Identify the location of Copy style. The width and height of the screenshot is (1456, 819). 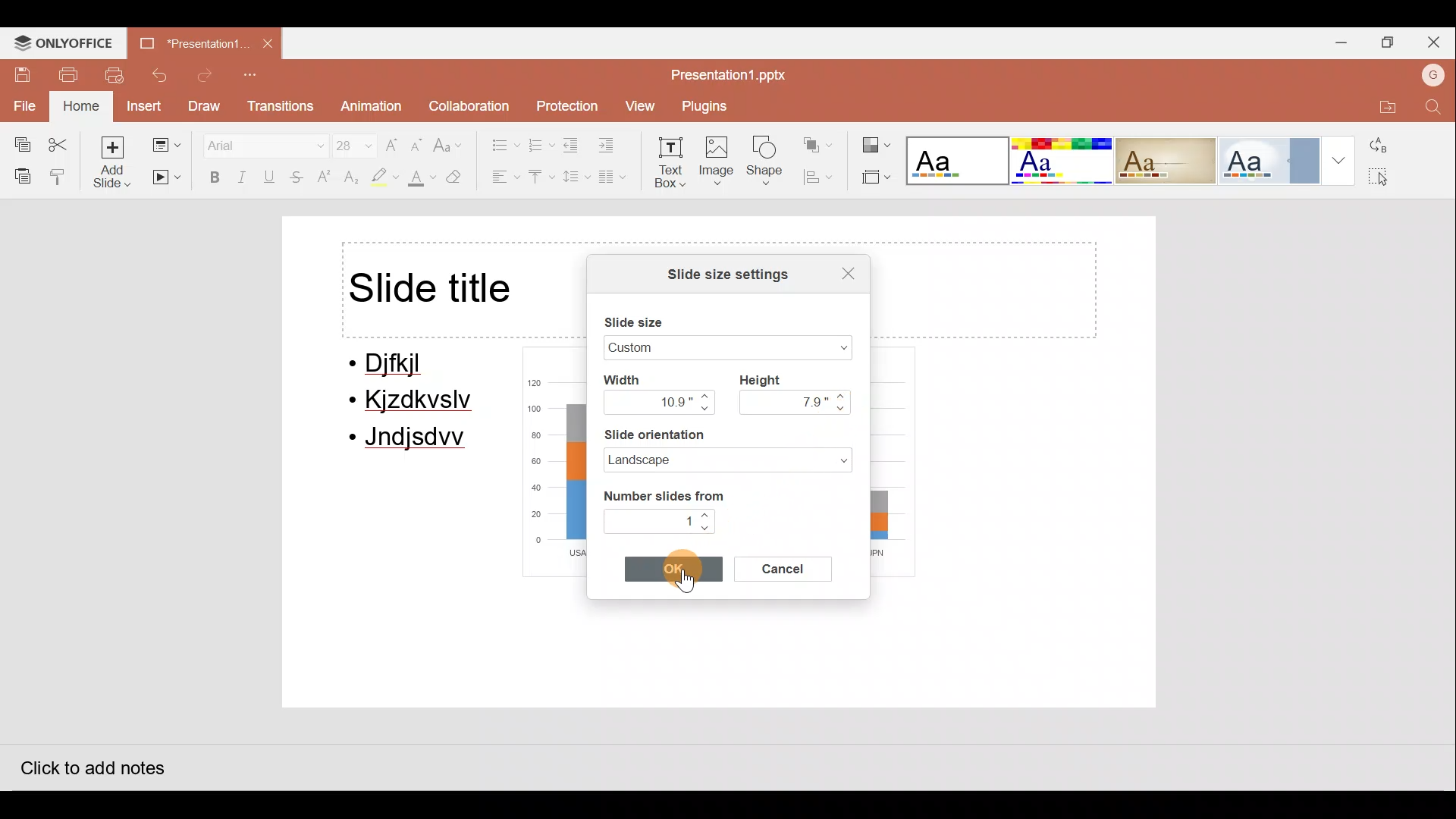
(59, 176).